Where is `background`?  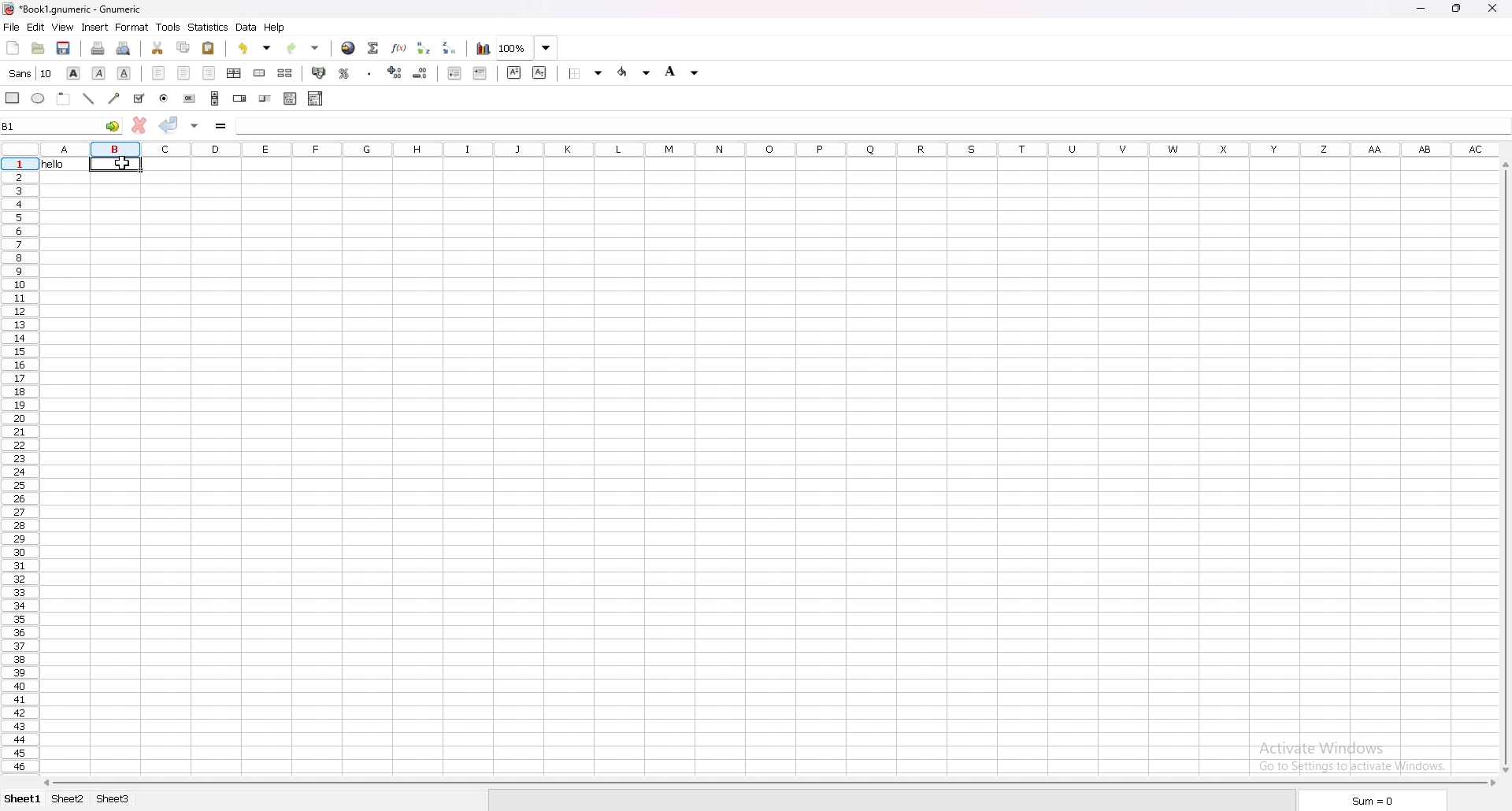 background is located at coordinates (633, 73).